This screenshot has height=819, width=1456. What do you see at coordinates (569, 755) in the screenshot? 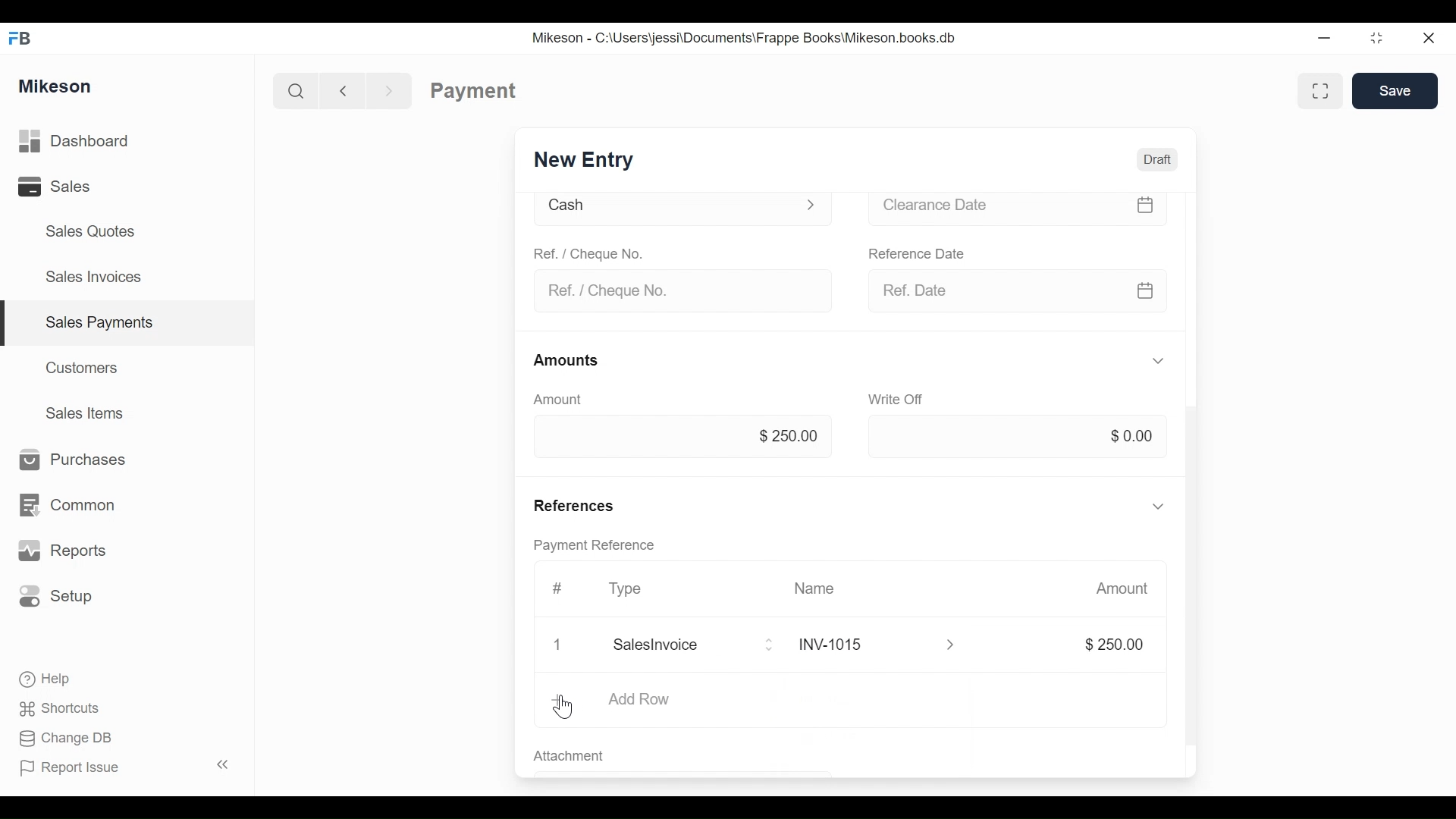
I see `Attachment` at bounding box center [569, 755].